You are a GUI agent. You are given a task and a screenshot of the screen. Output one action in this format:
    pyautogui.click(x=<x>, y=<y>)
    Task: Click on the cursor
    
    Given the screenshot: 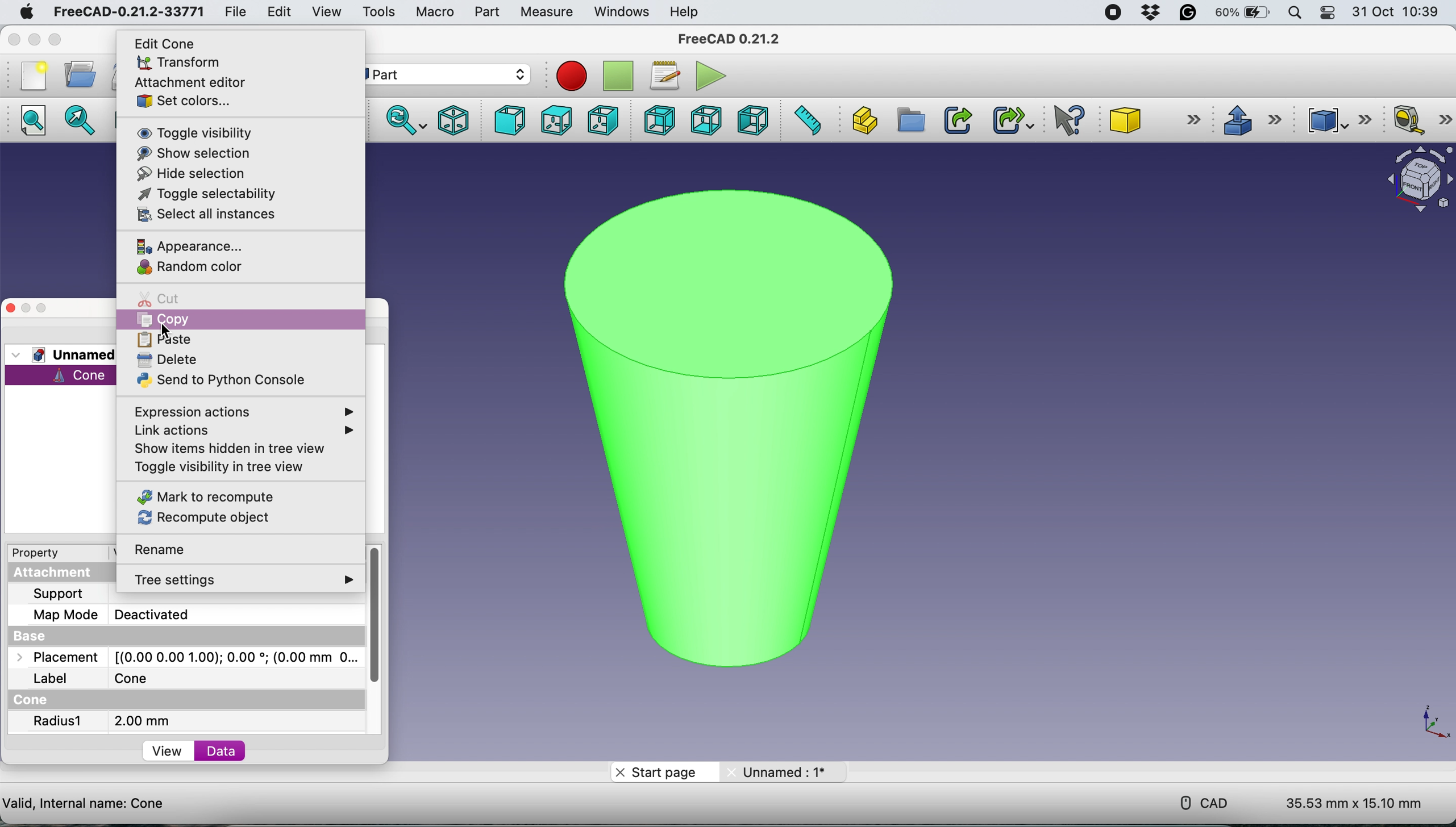 What is the action you would take?
    pyautogui.click(x=168, y=330)
    